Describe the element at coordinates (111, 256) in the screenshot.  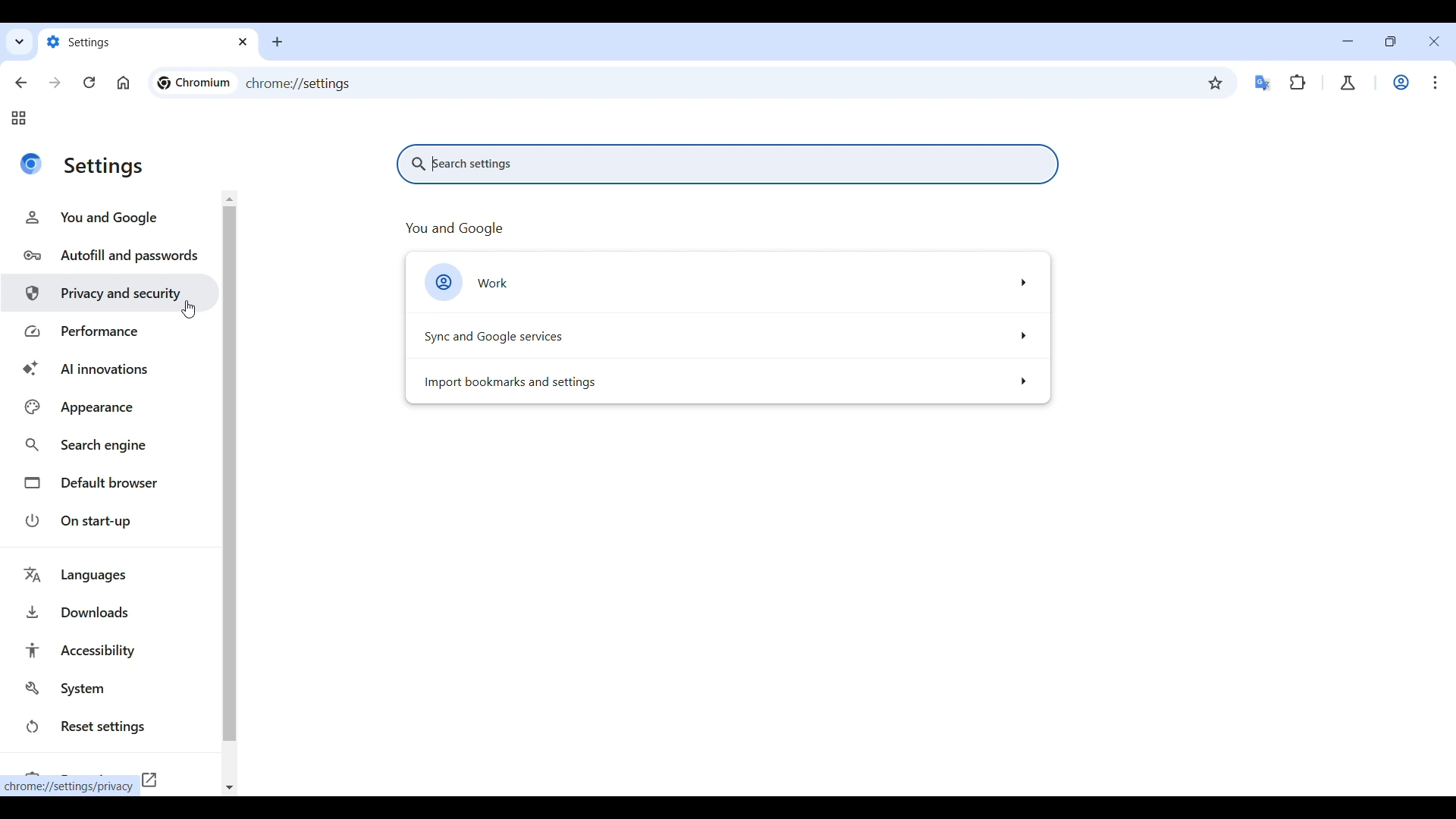
I see `Autofill and passwords` at that location.